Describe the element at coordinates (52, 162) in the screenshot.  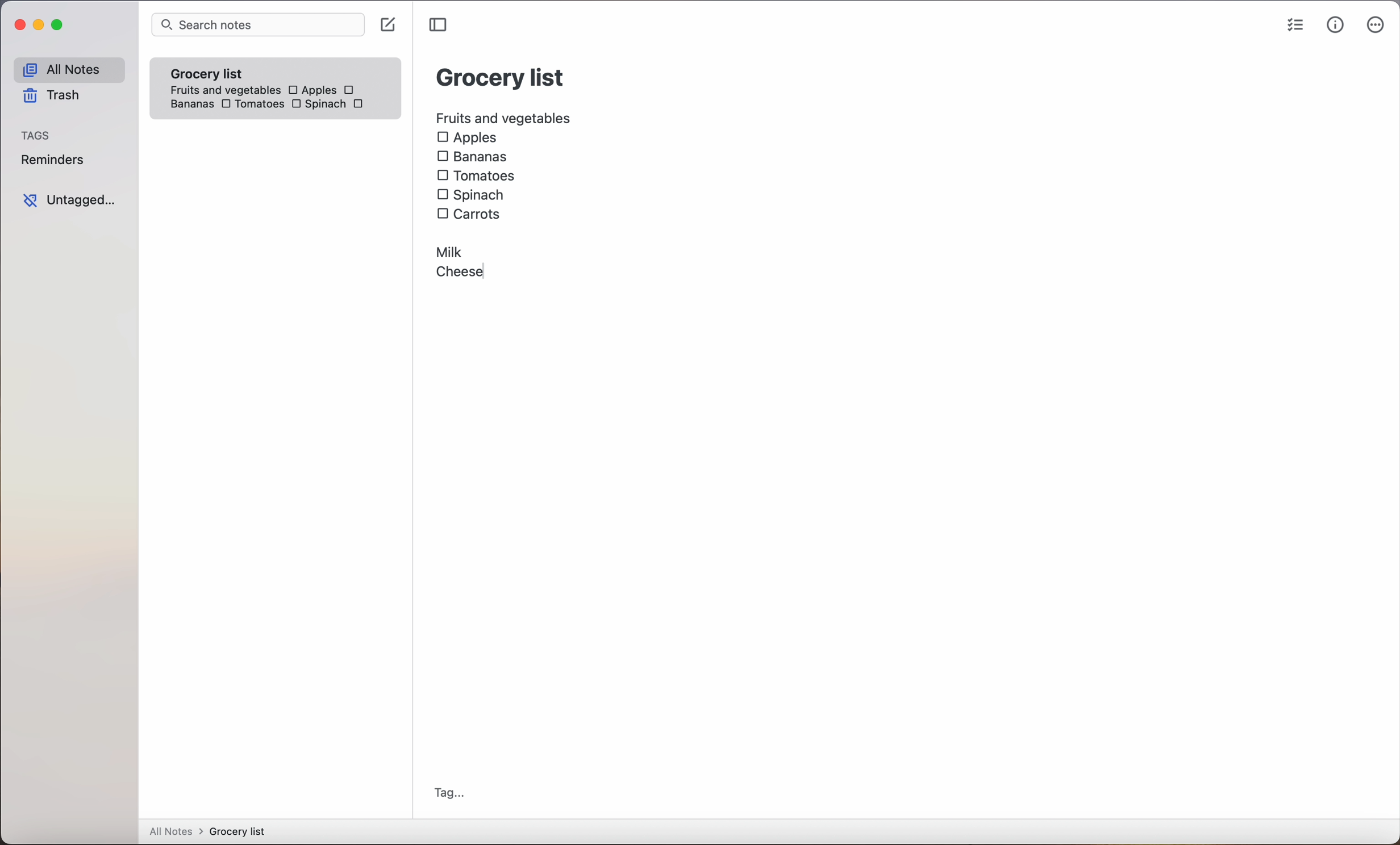
I see `reminders` at that location.